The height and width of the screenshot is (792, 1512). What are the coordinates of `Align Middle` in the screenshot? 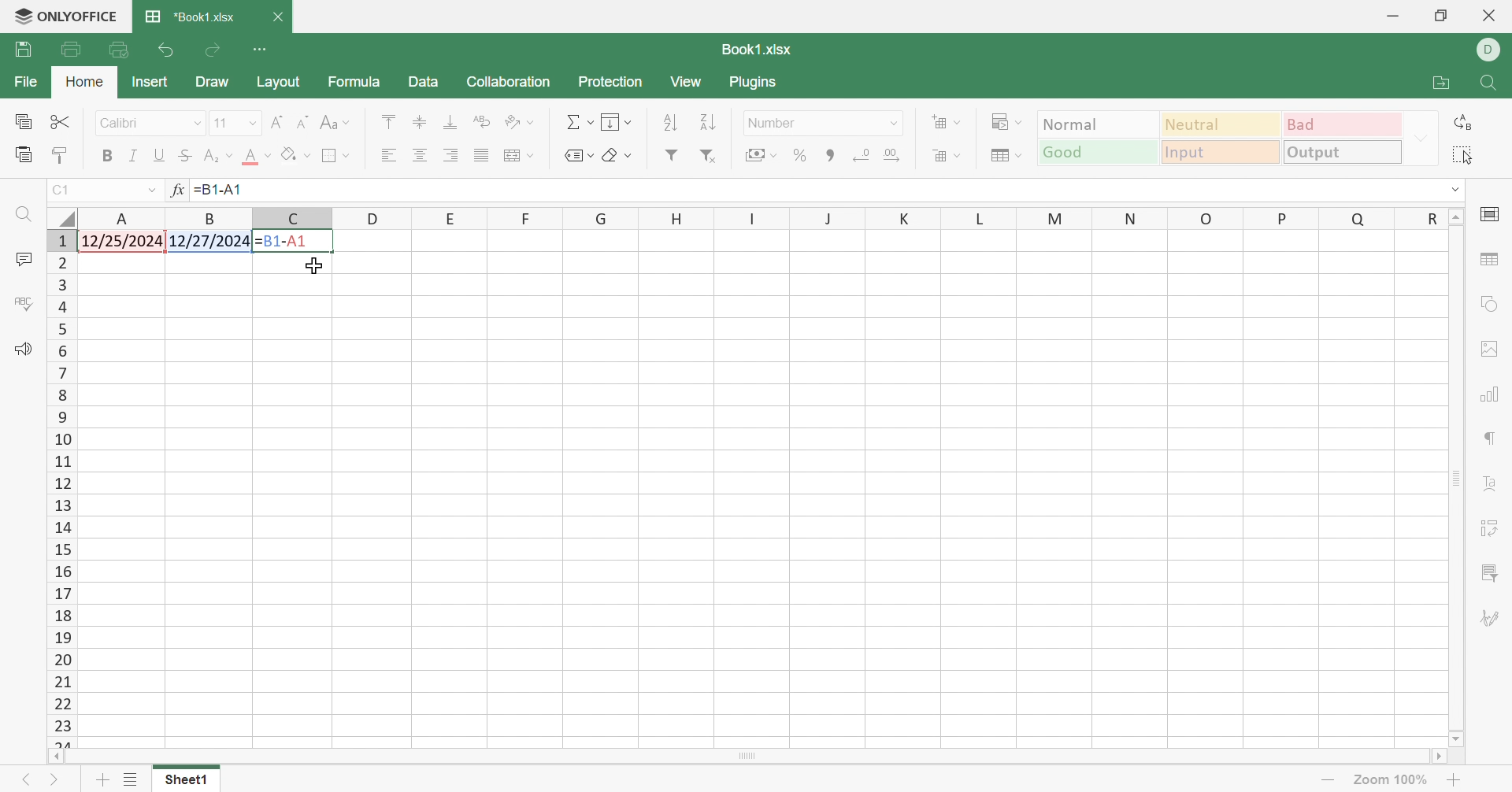 It's located at (420, 124).